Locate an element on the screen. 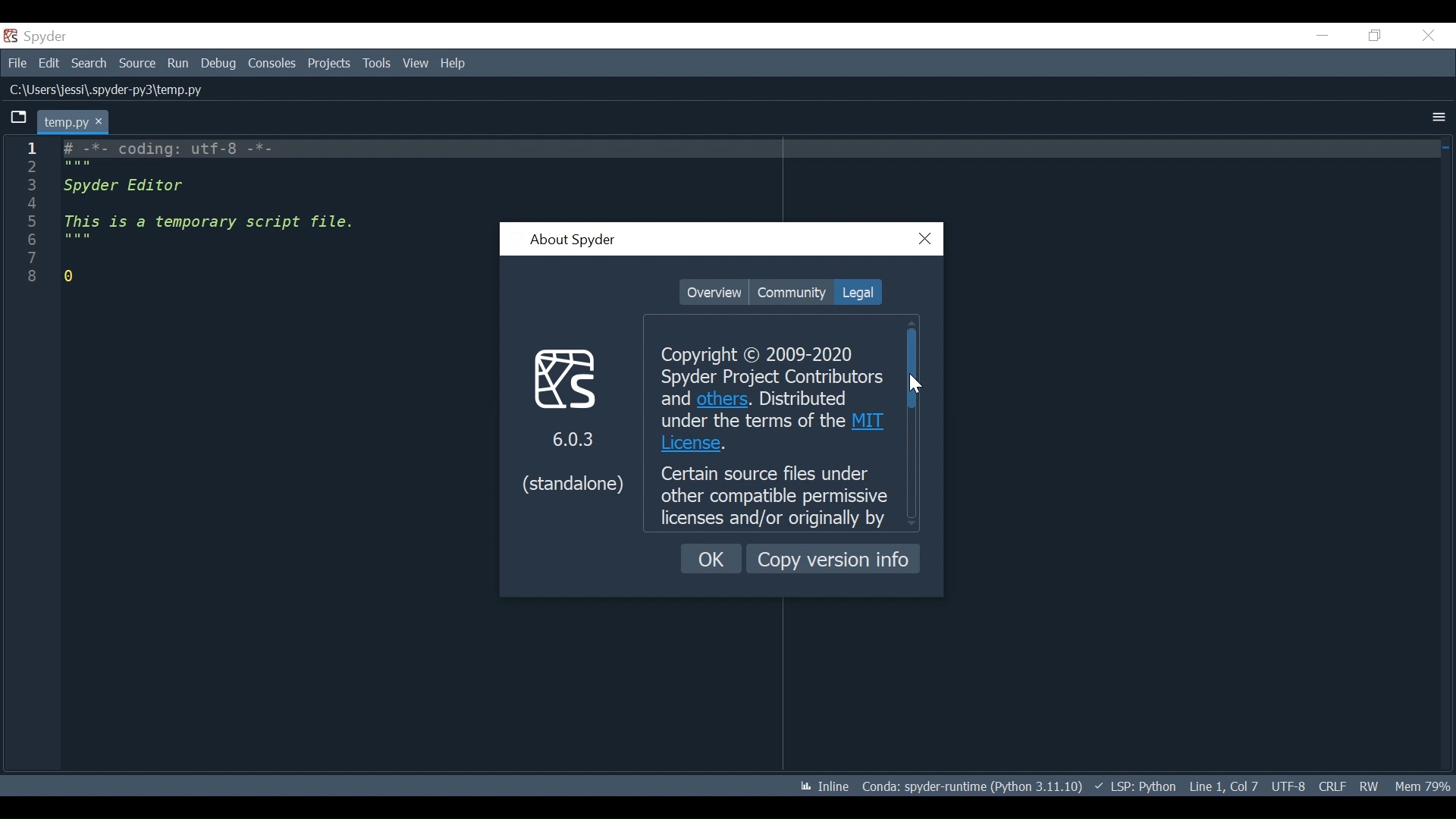 The width and height of the screenshot is (1456, 819). Copyright © 2009-2020
Spyder Project Contributors
and others. Distributed
under the terms of the MIT
License. is located at coordinates (770, 400).